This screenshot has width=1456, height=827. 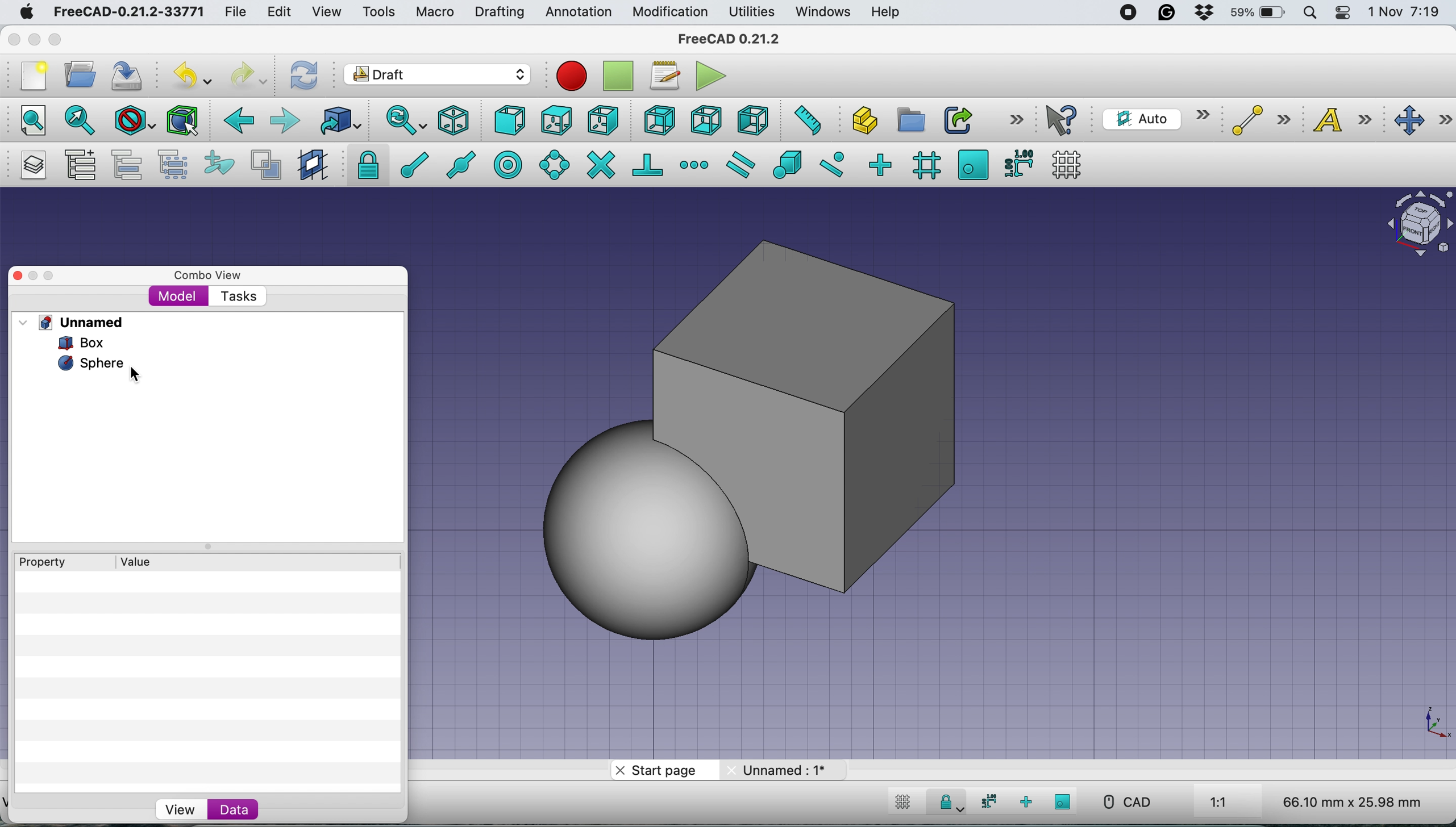 What do you see at coordinates (973, 164) in the screenshot?
I see `snap working plane` at bounding box center [973, 164].